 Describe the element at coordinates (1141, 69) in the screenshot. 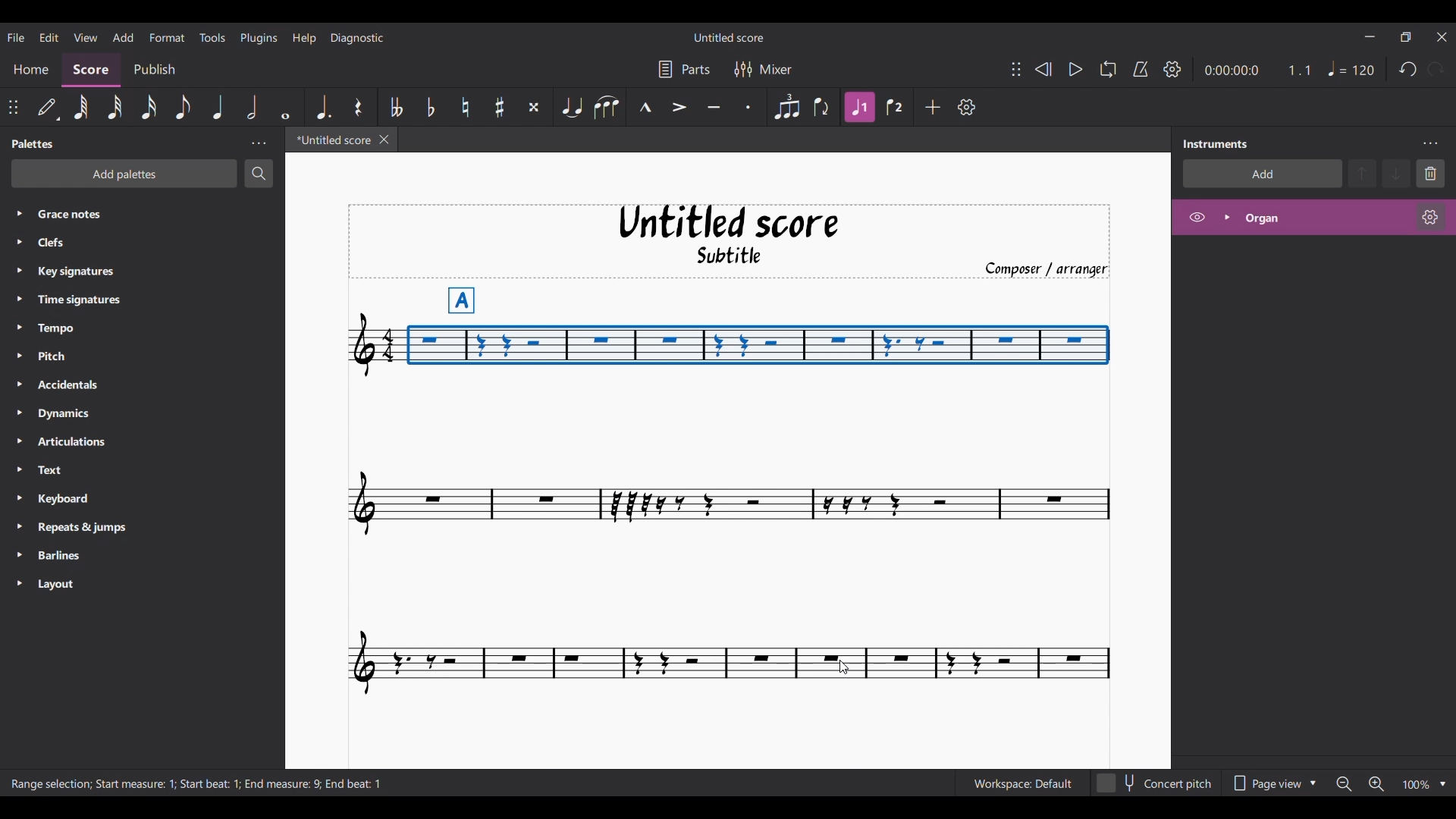

I see `Metronome` at that location.